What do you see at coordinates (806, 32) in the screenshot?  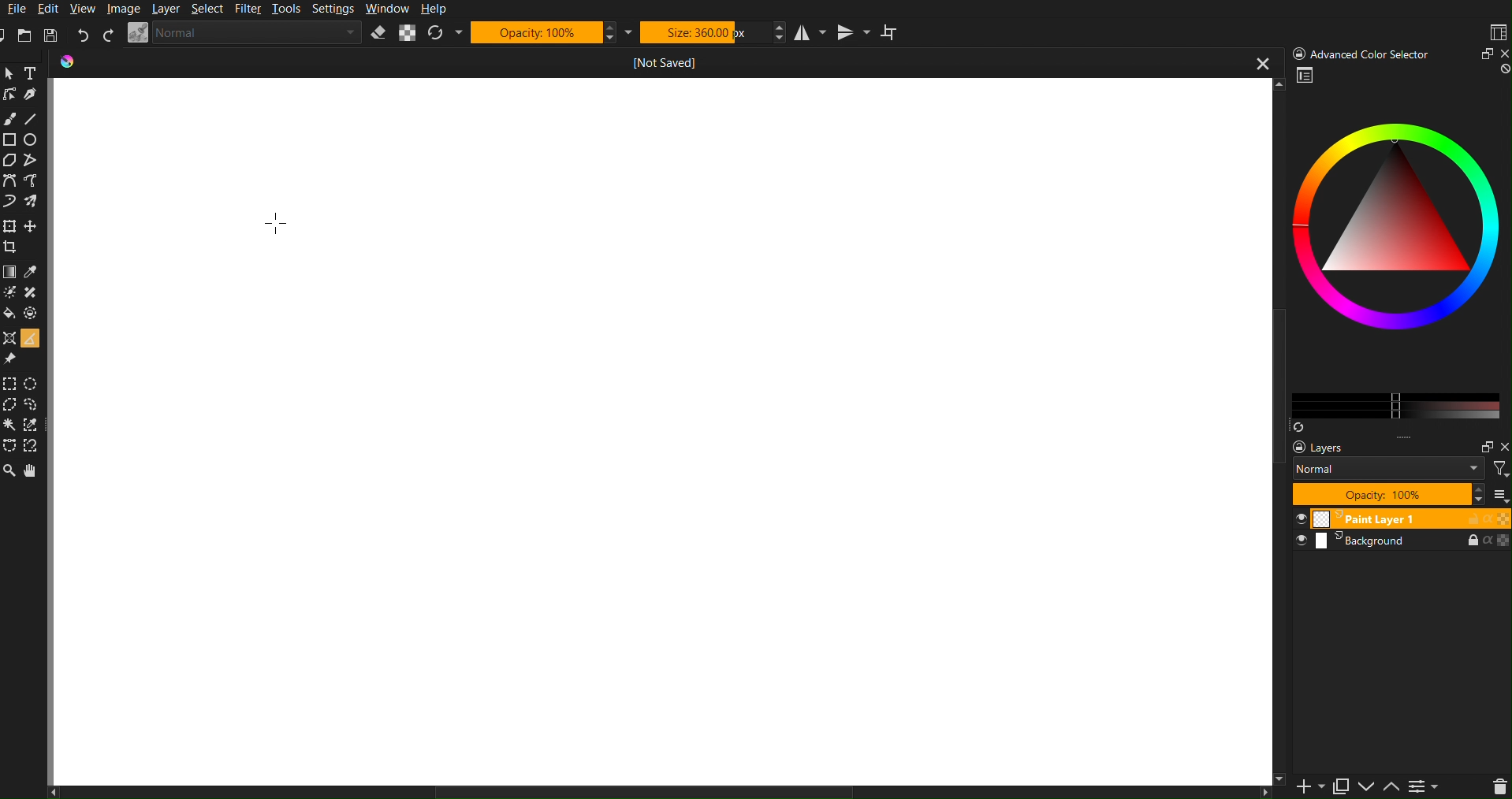 I see `Horizontal Mirror` at bounding box center [806, 32].